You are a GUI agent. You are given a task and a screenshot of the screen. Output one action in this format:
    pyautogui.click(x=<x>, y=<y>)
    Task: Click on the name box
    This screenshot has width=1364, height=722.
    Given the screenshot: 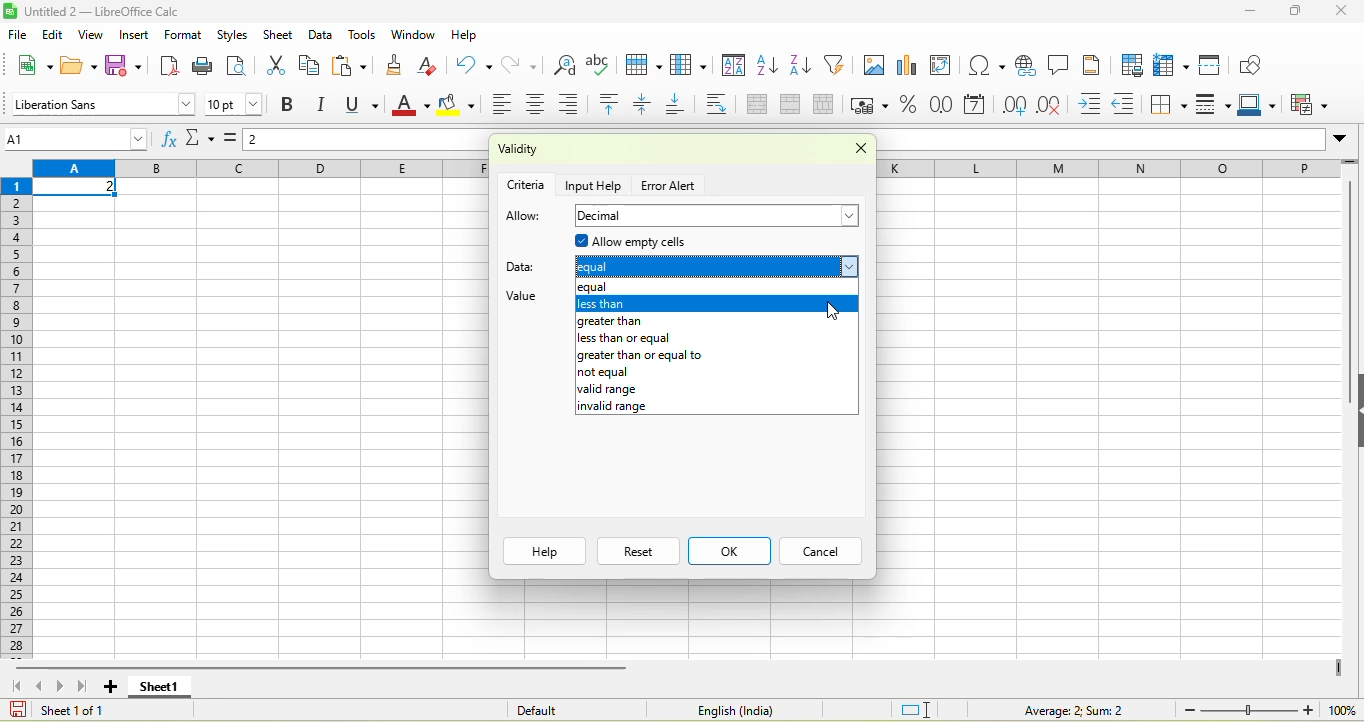 What is the action you would take?
    pyautogui.click(x=78, y=138)
    